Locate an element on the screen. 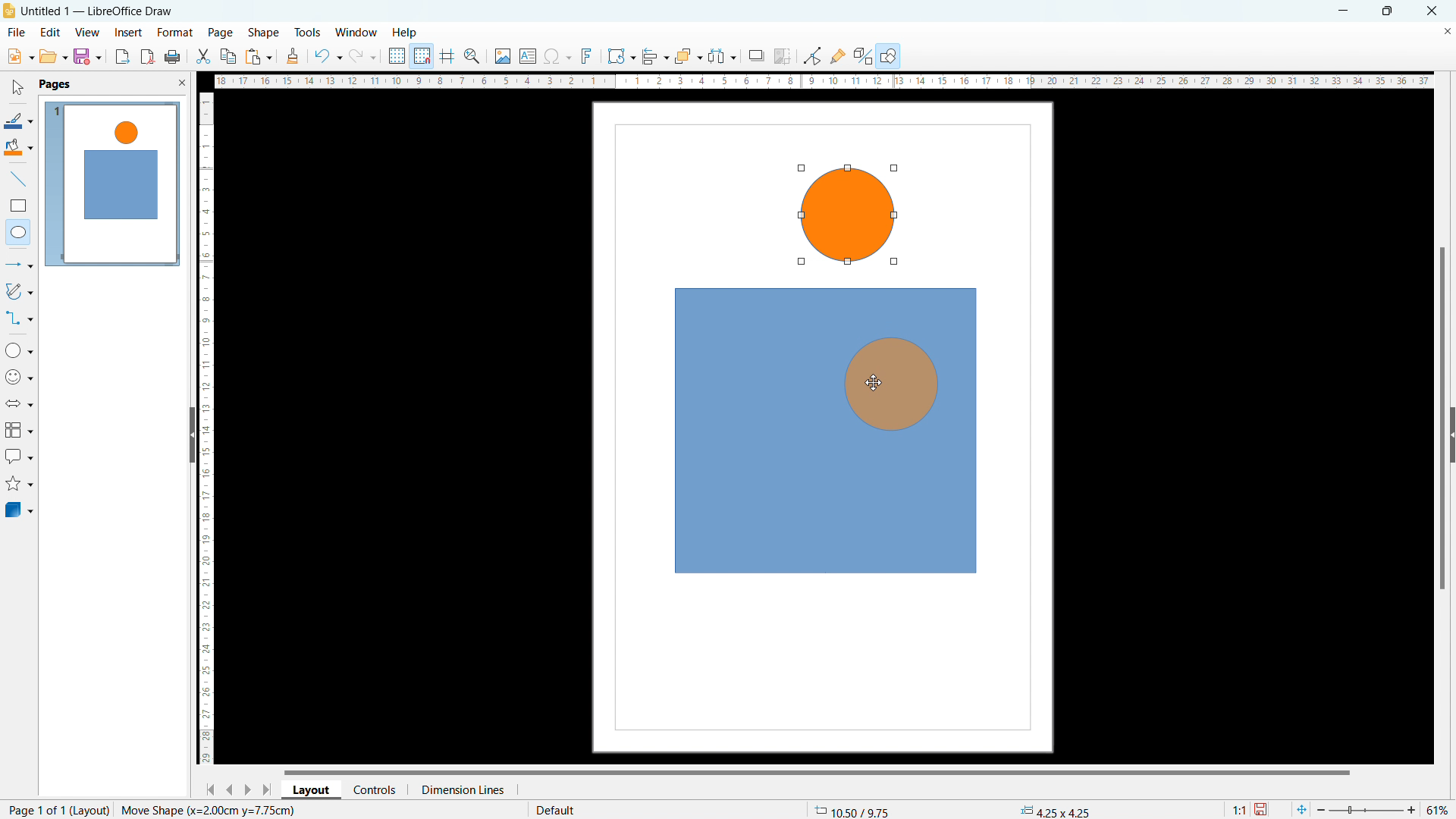 The image size is (1456, 819). line color is located at coordinates (18, 121).